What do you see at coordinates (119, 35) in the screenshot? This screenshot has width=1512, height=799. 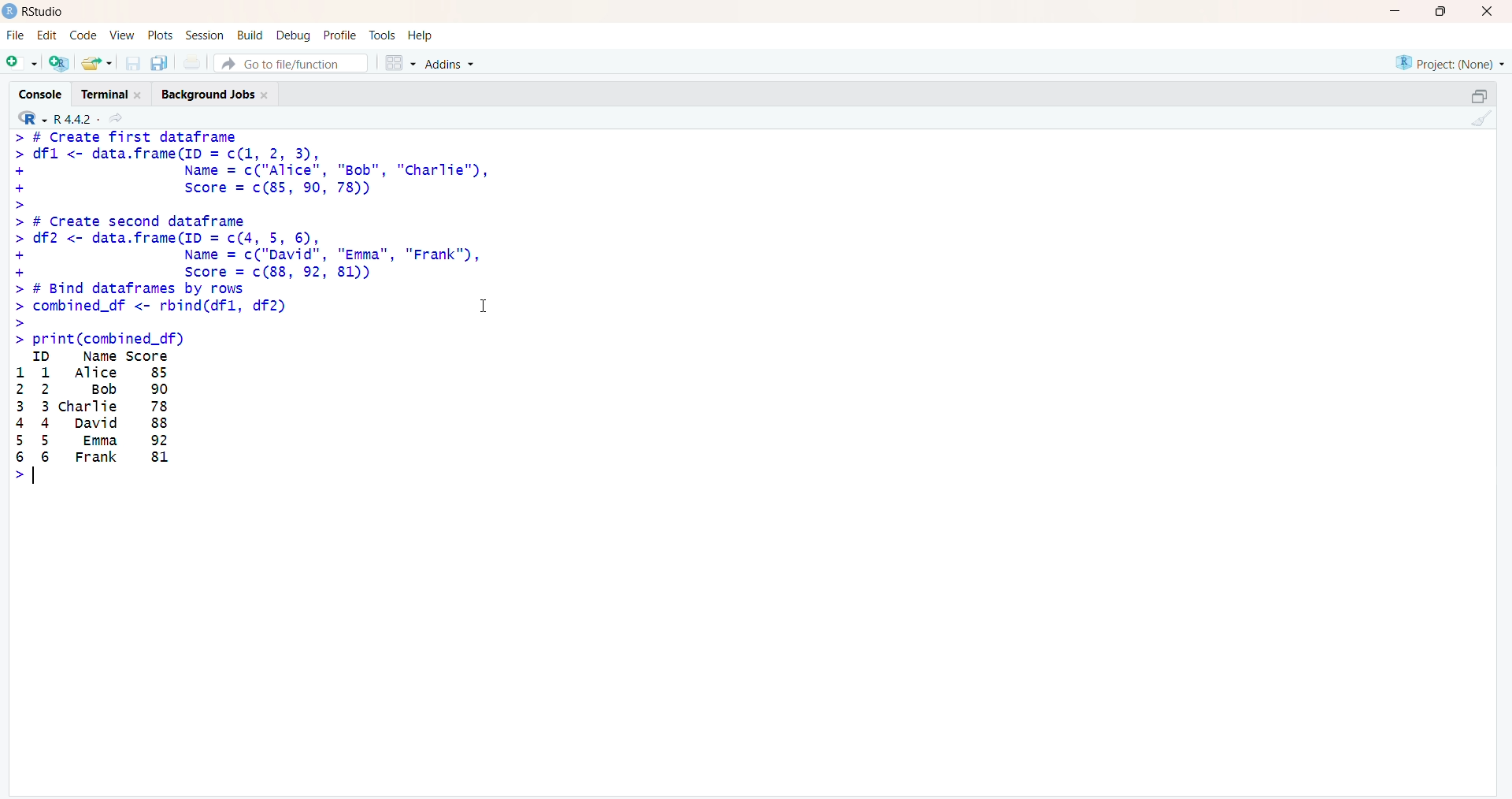 I see `View` at bounding box center [119, 35].